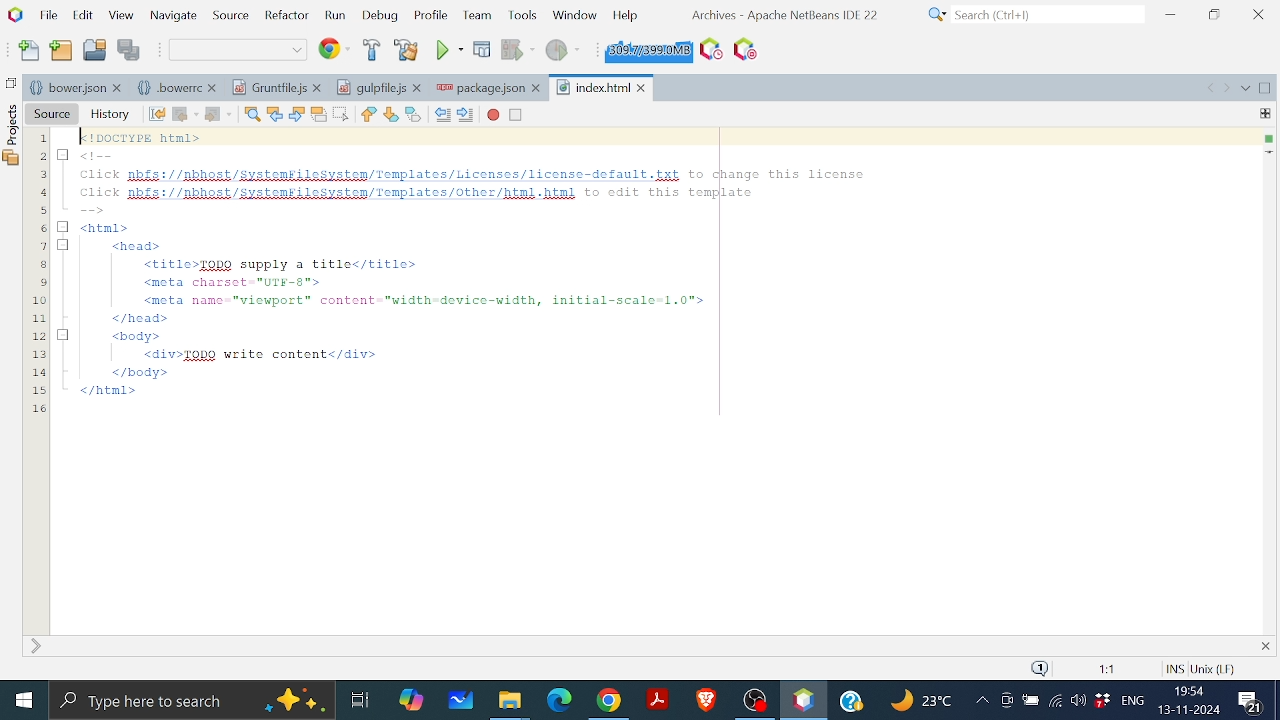 The width and height of the screenshot is (1280, 720). I want to click on <head>, so click(139, 247).